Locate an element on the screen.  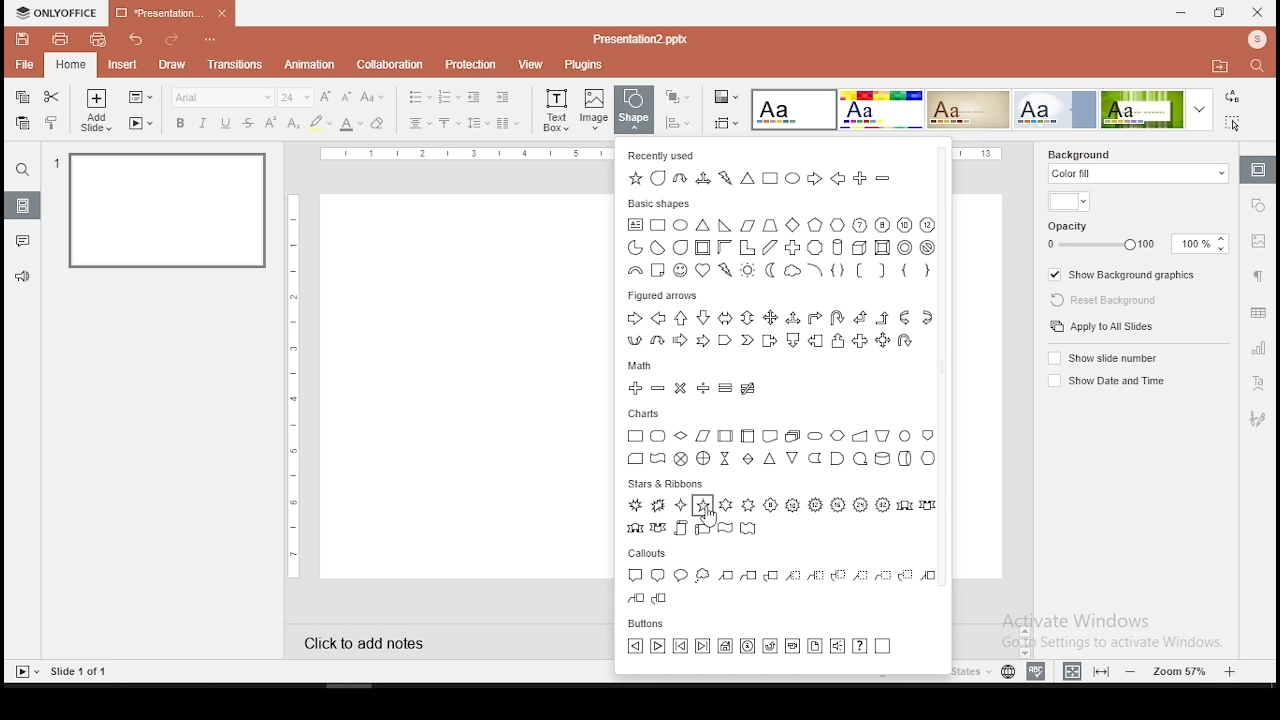
font size is located at coordinates (297, 97).